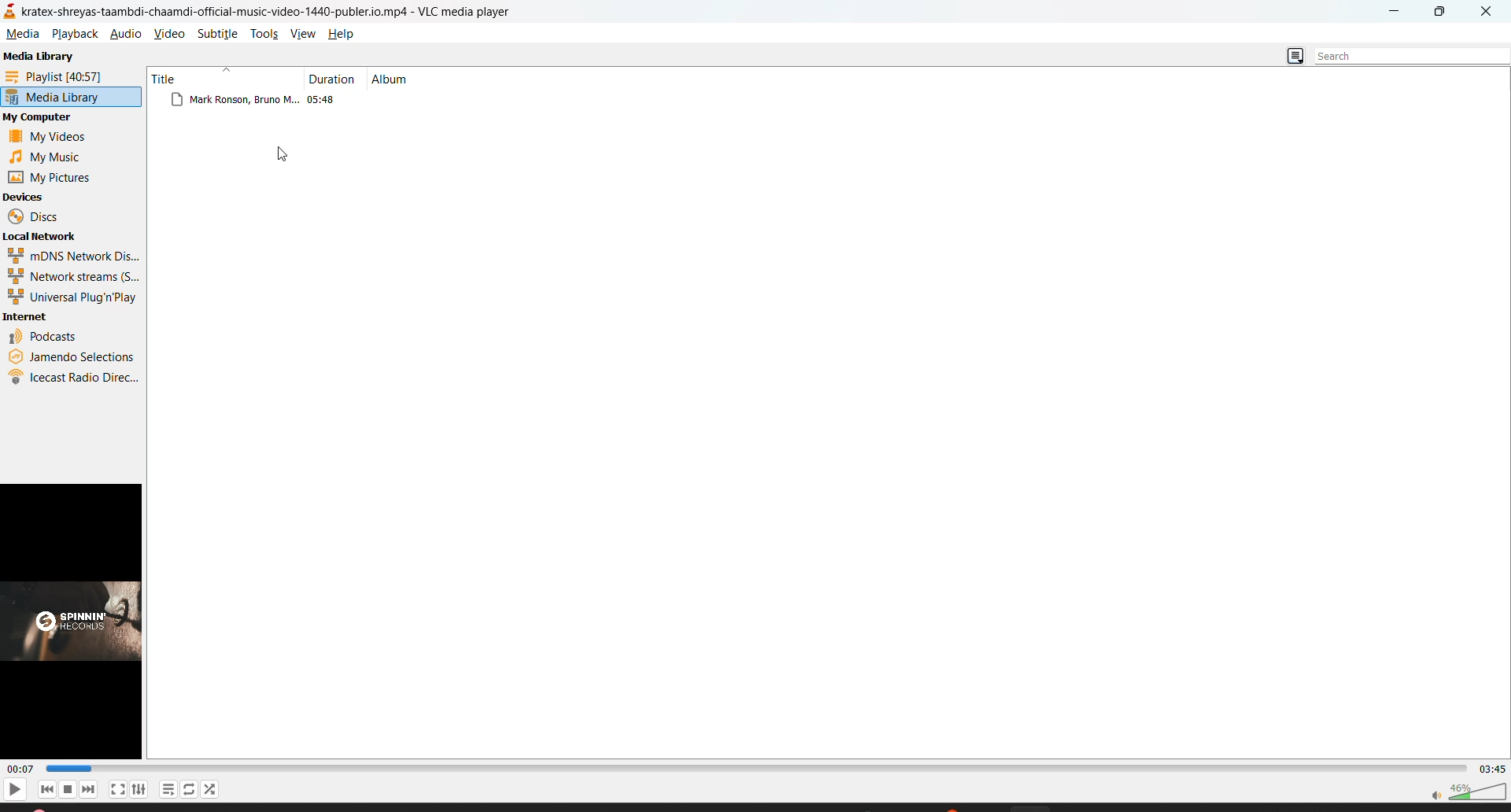  Describe the element at coordinates (55, 98) in the screenshot. I see `media library` at that location.